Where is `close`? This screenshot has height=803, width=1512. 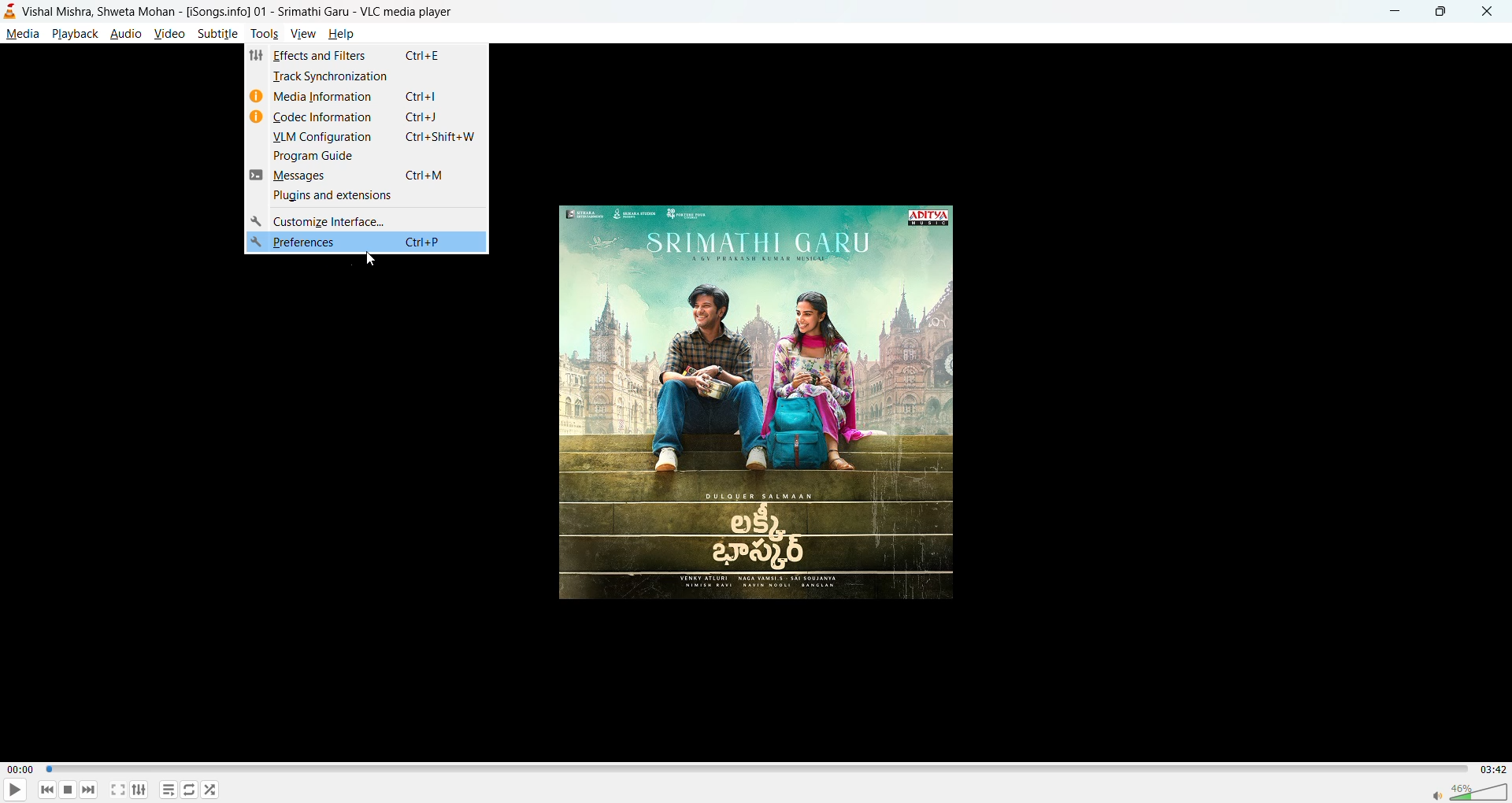 close is located at coordinates (1482, 12).